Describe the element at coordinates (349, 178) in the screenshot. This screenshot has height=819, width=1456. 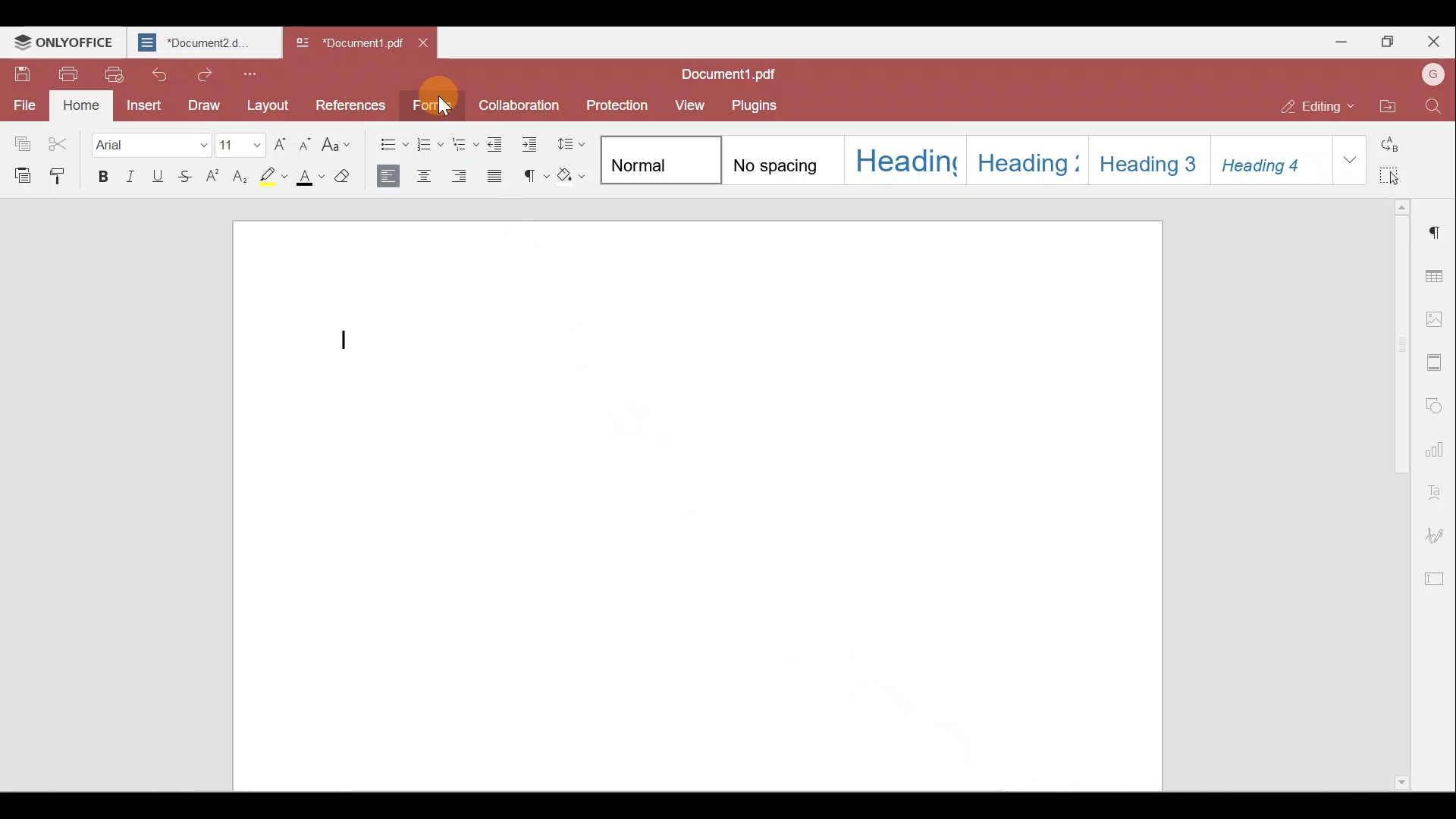
I see `Clear style` at that location.